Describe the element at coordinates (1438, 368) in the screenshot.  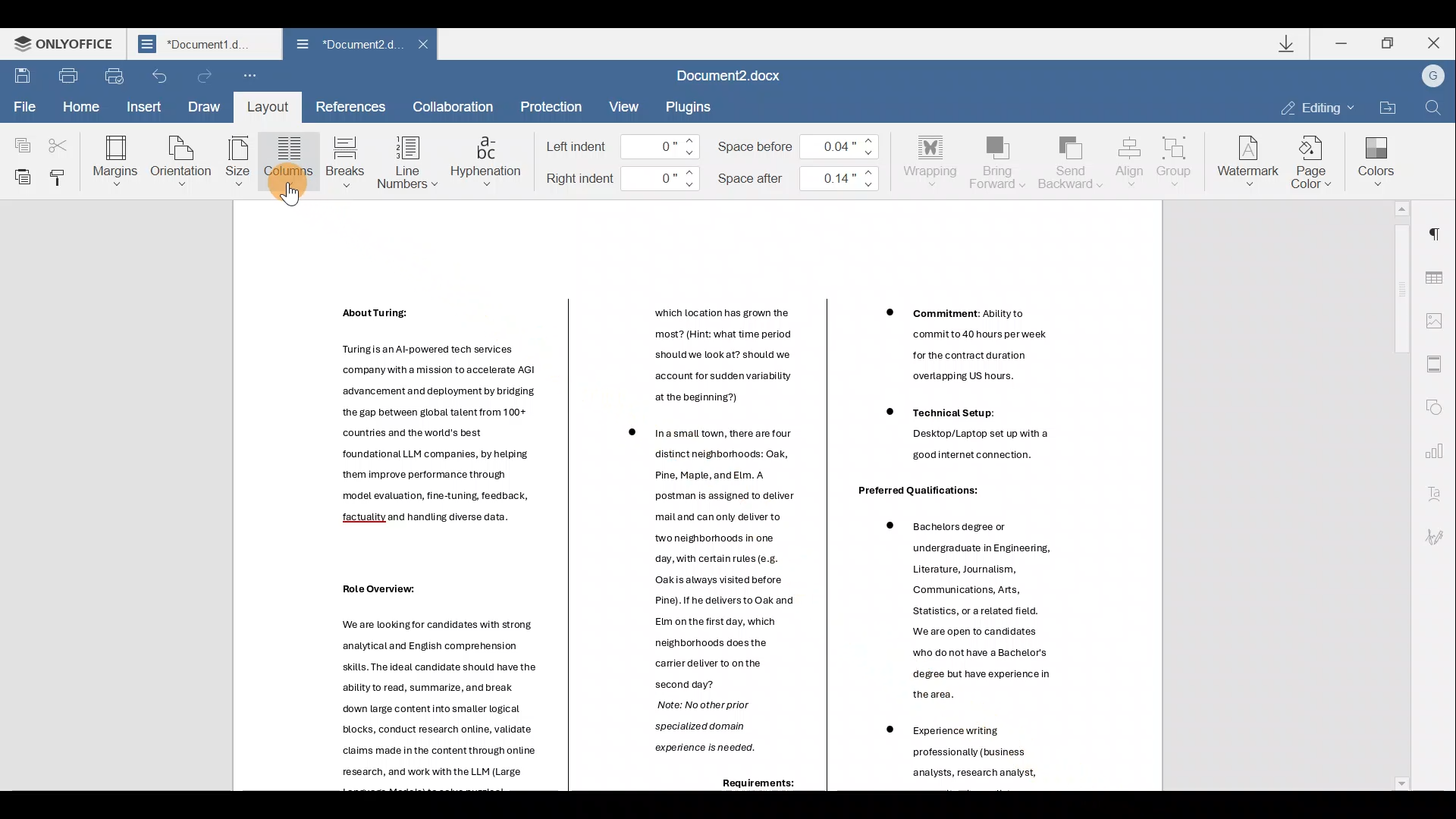
I see `Header & footer settings` at that location.